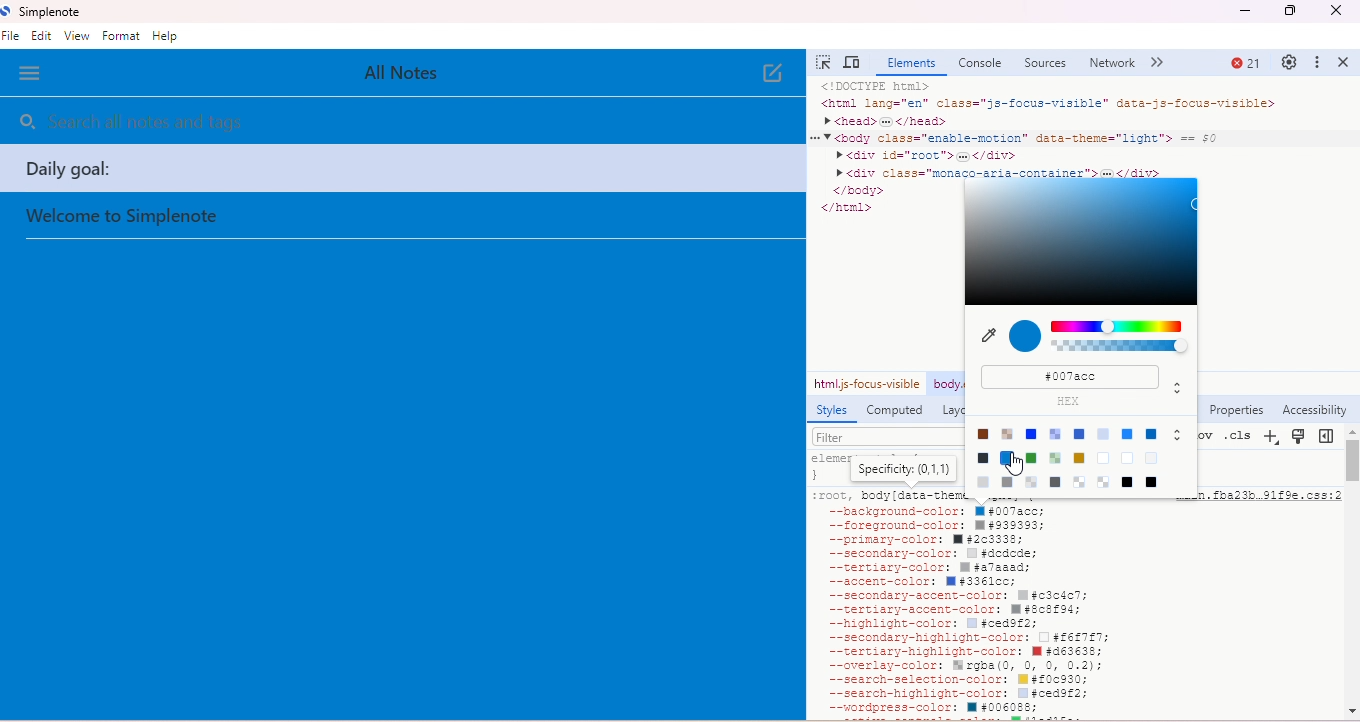 This screenshot has height=722, width=1360. What do you see at coordinates (13, 37) in the screenshot?
I see `file` at bounding box center [13, 37].